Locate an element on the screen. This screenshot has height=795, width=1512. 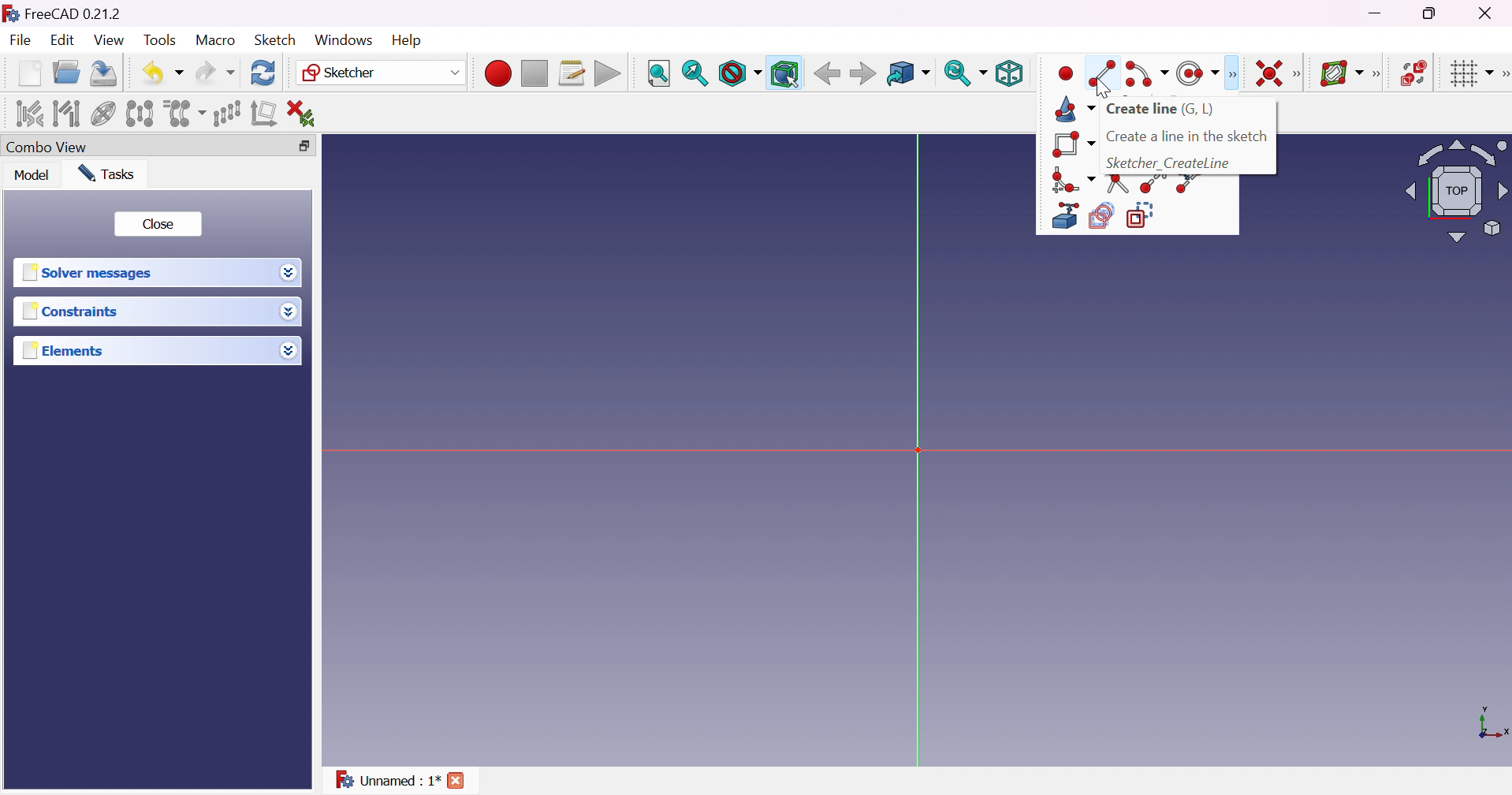
Extend edge is located at coordinates (1151, 185).